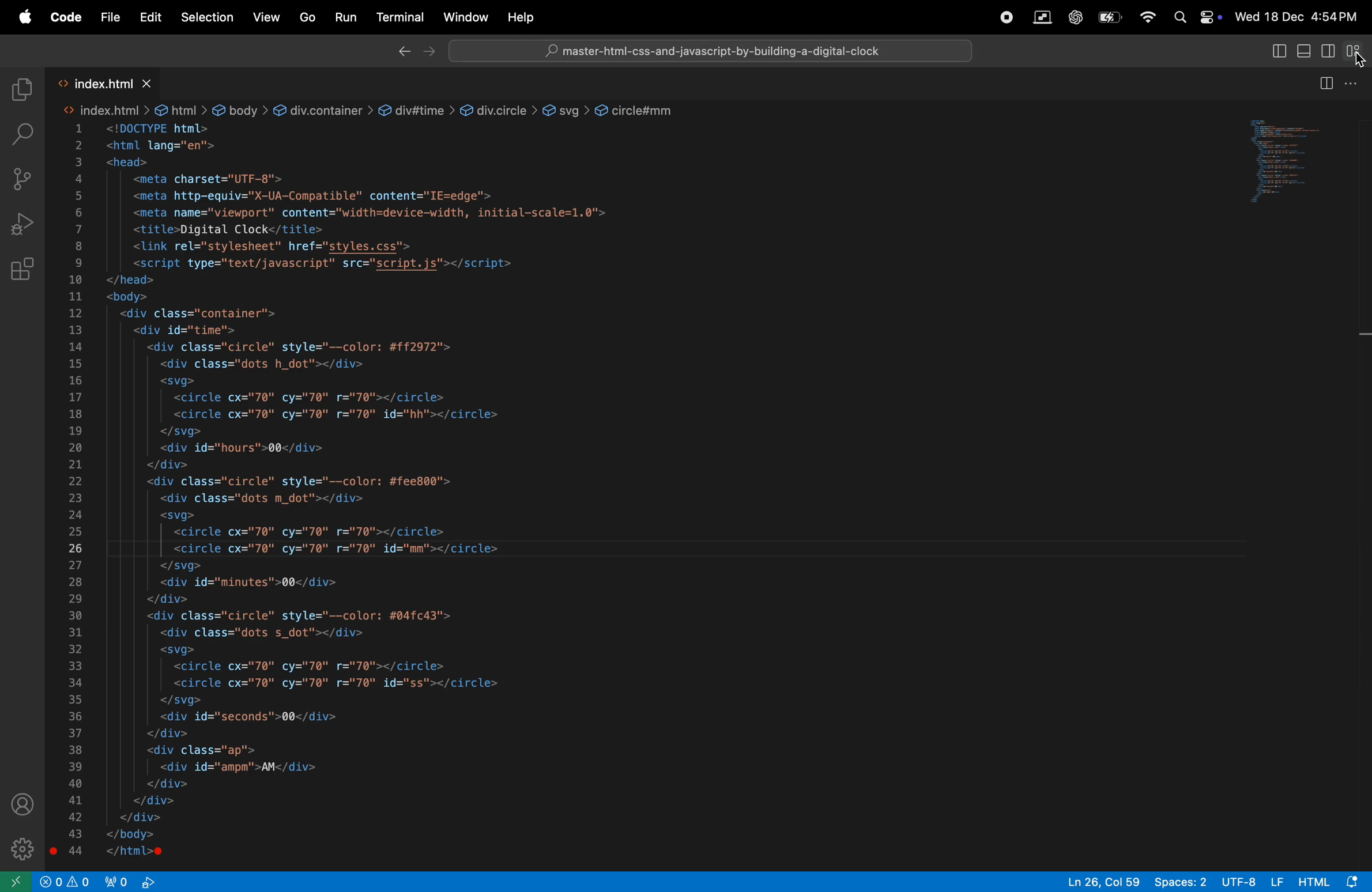  Describe the element at coordinates (1108, 19) in the screenshot. I see `battery` at that location.